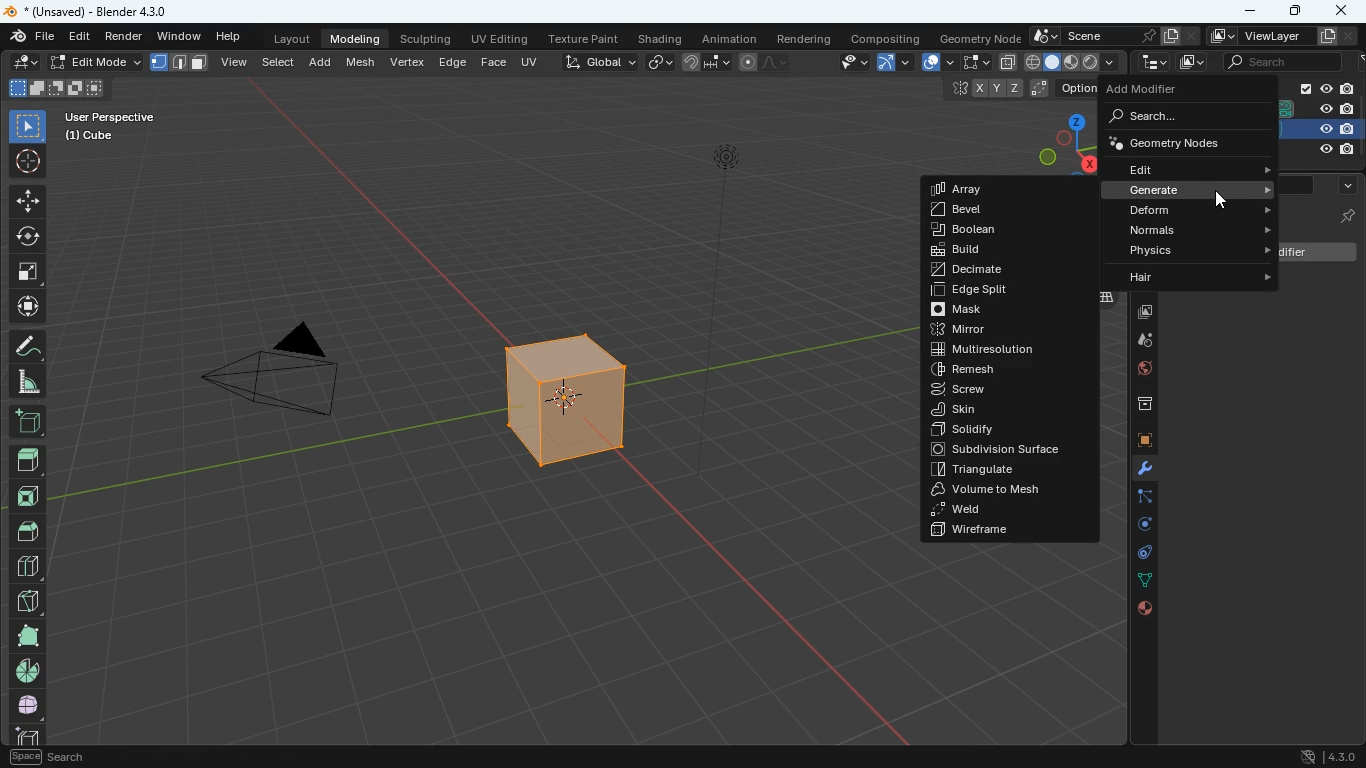 The width and height of the screenshot is (1366, 768). I want to click on light, so click(746, 195).